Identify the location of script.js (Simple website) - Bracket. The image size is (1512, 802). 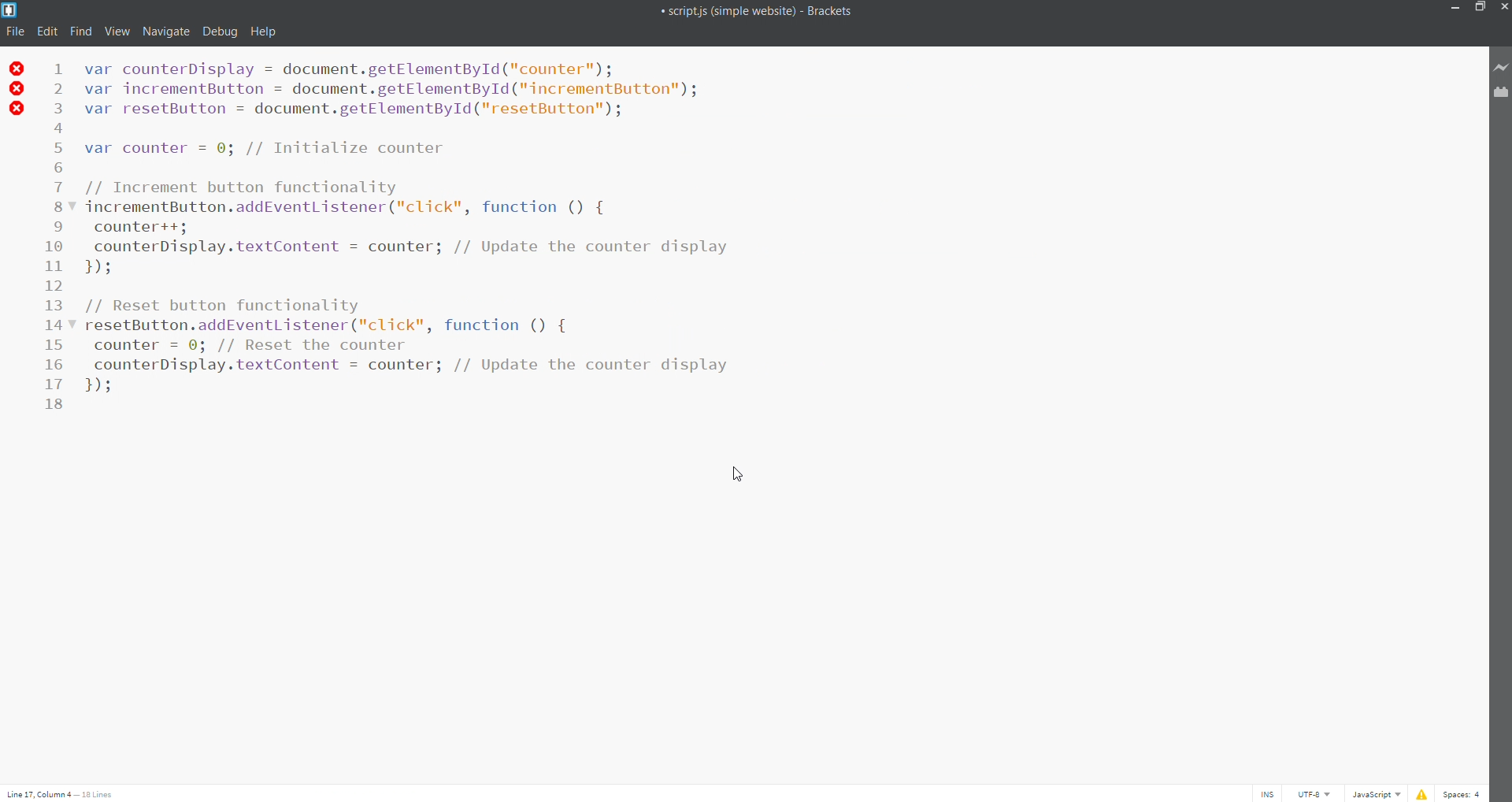
(758, 10).